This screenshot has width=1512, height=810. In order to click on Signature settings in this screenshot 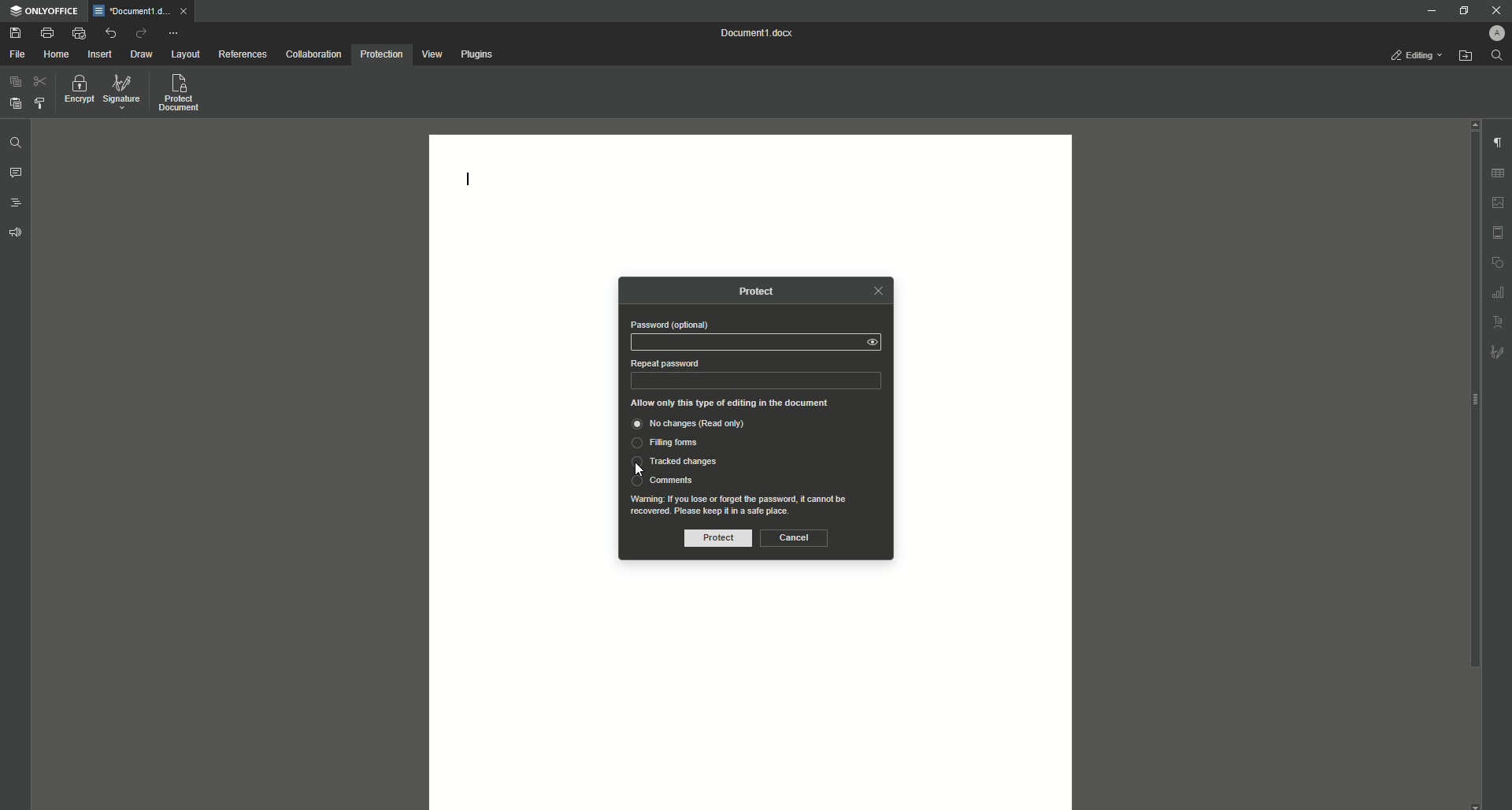, I will do `click(1499, 354)`.